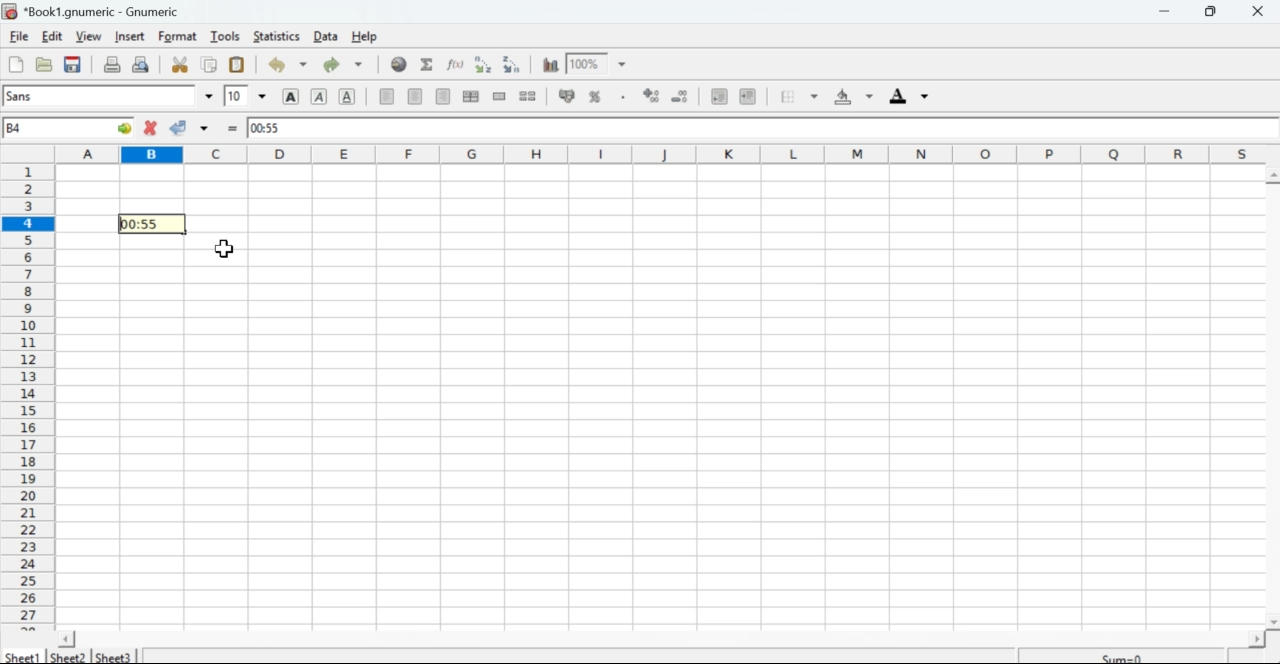 This screenshot has height=664, width=1280. What do you see at coordinates (812, 97) in the screenshot?
I see `down` at bounding box center [812, 97].